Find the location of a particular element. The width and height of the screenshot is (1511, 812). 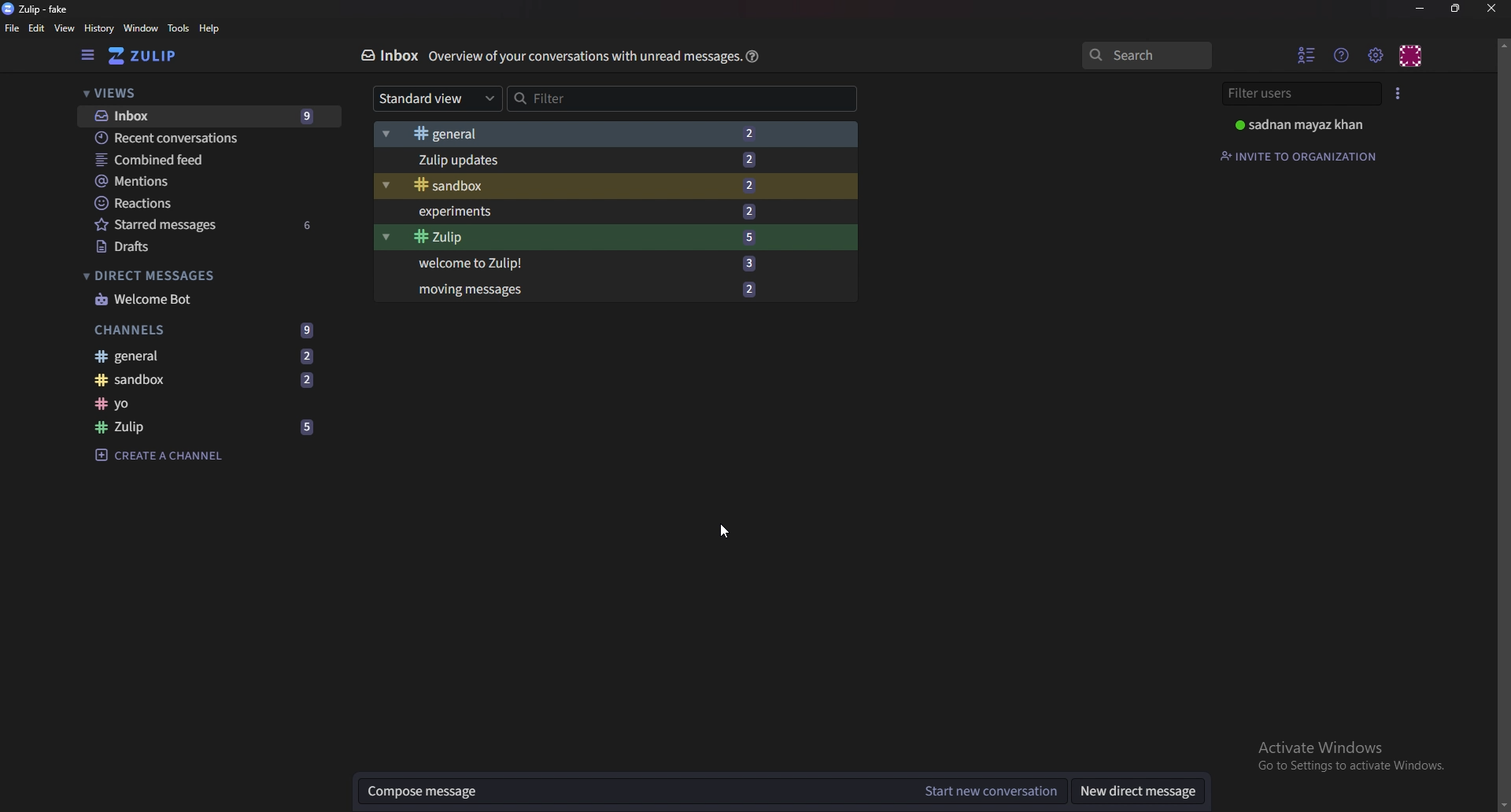

Zulip is located at coordinates (617, 238).